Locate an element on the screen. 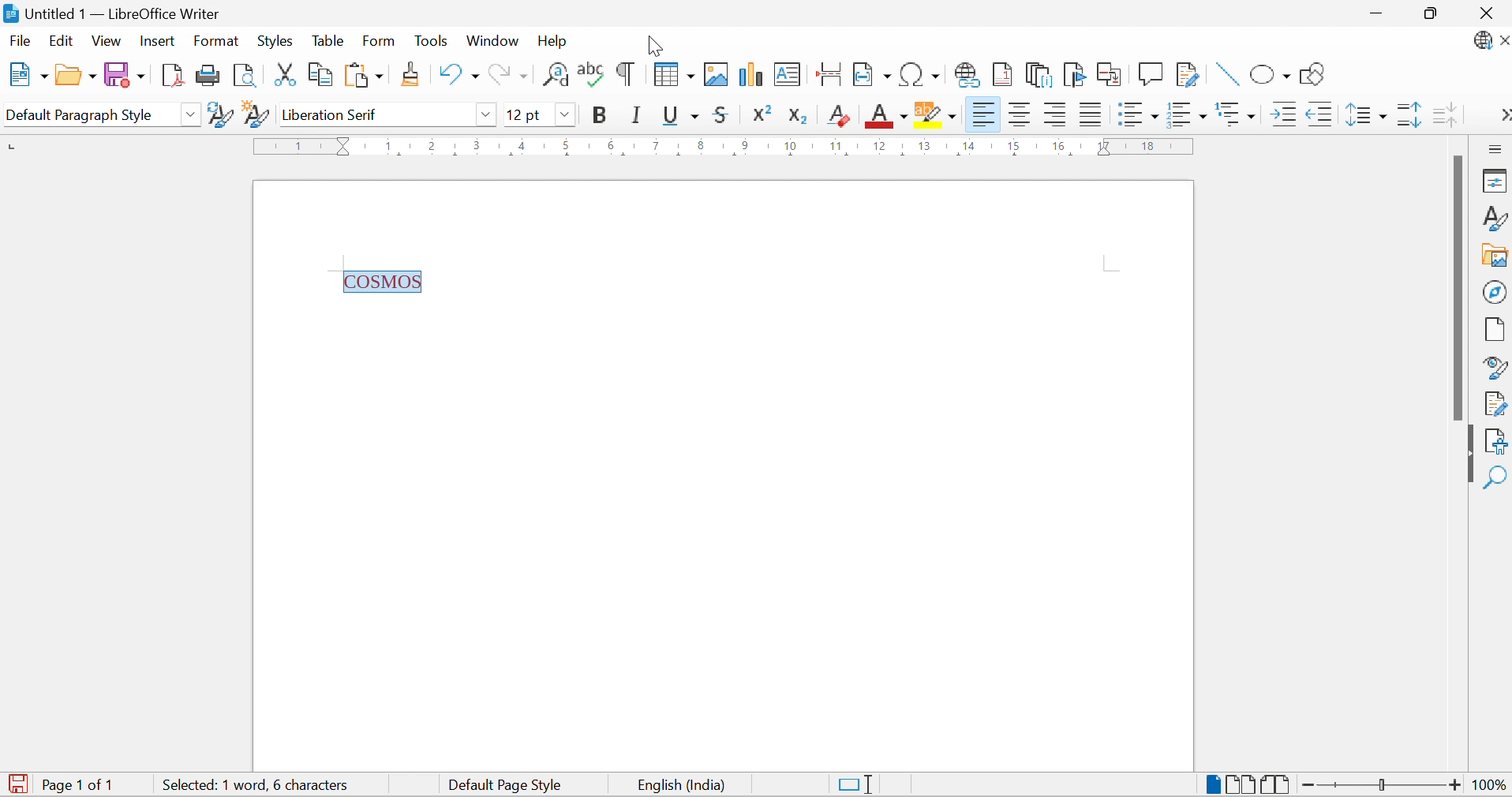  Zoom In is located at coordinates (1454, 787).